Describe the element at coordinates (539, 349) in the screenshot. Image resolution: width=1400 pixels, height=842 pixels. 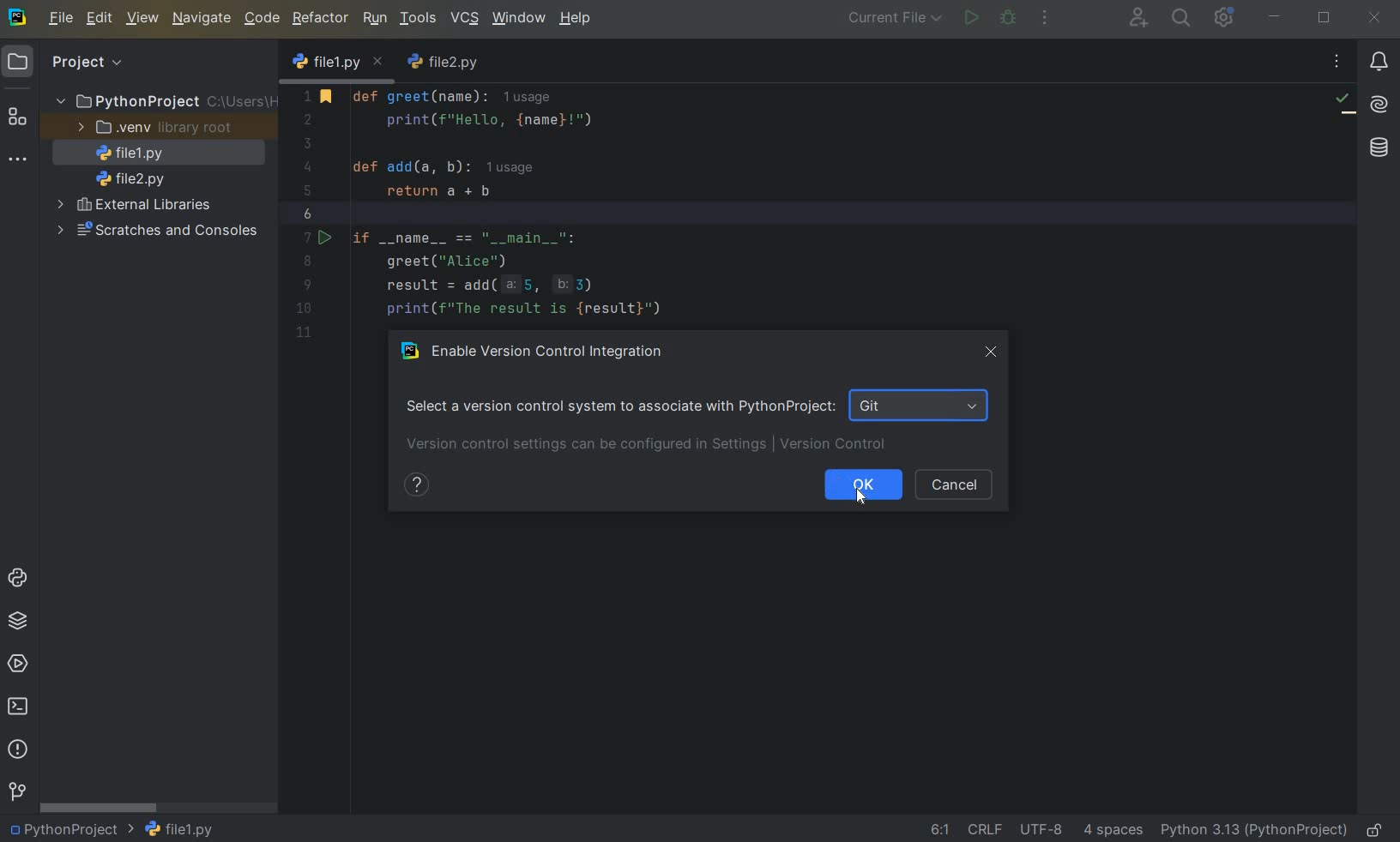
I see `enable version control integration` at that location.